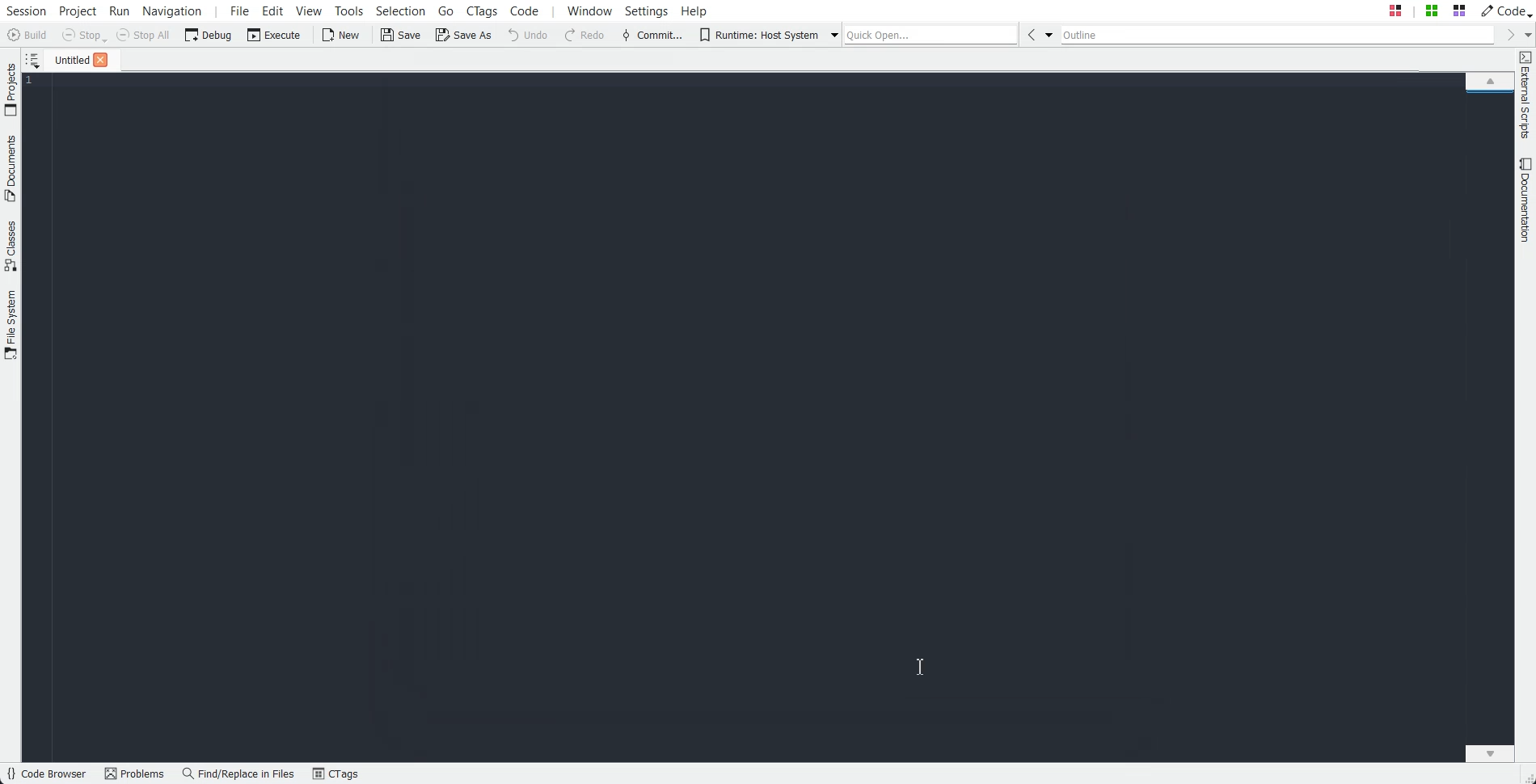 The width and height of the screenshot is (1536, 784). I want to click on Documentation, so click(1526, 200).